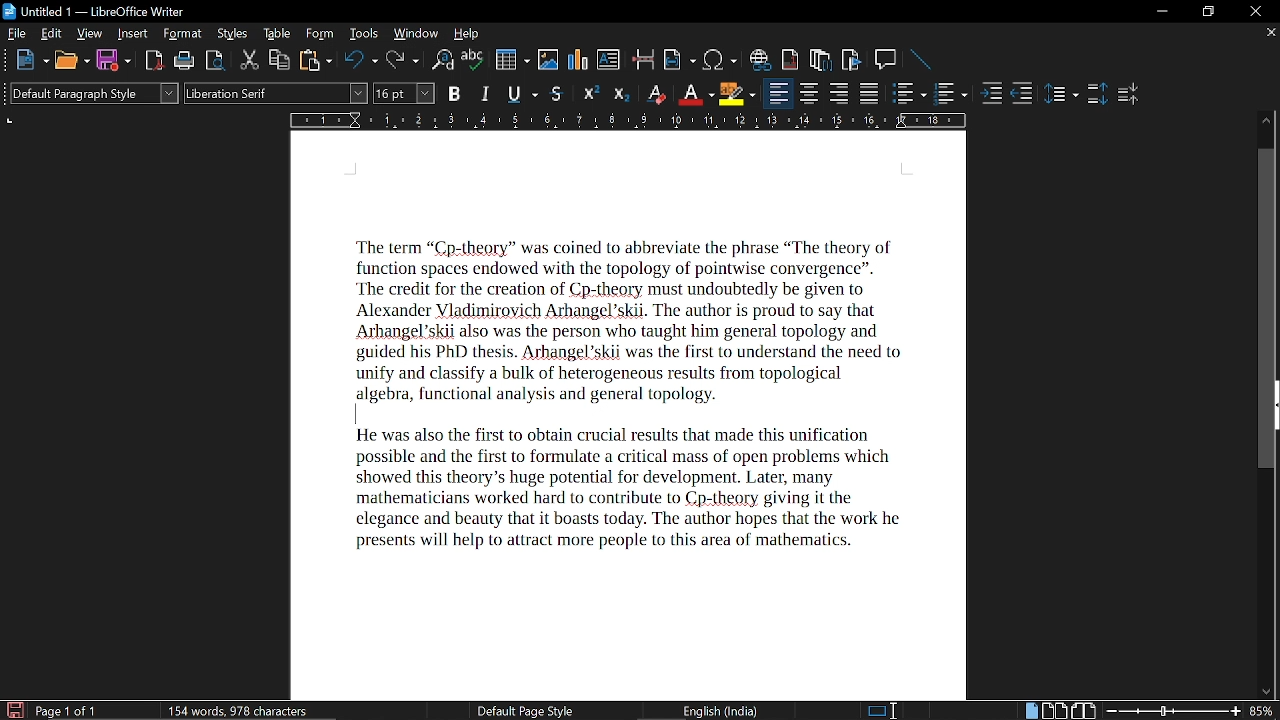  Describe the element at coordinates (276, 94) in the screenshot. I see `Text style` at that location.